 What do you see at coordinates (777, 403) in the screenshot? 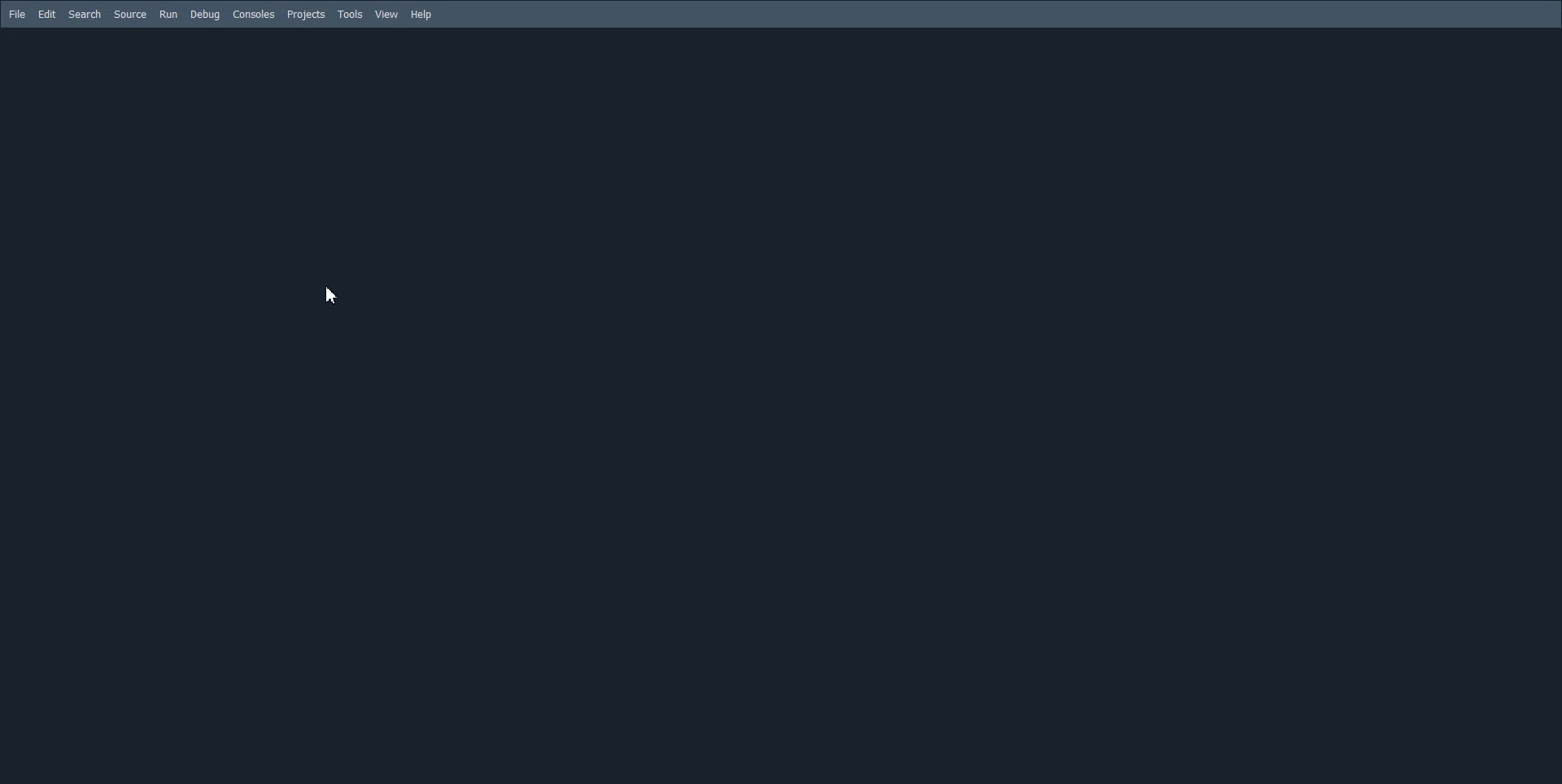
I see `Default Start Pane` at bounding box center [777, 403].